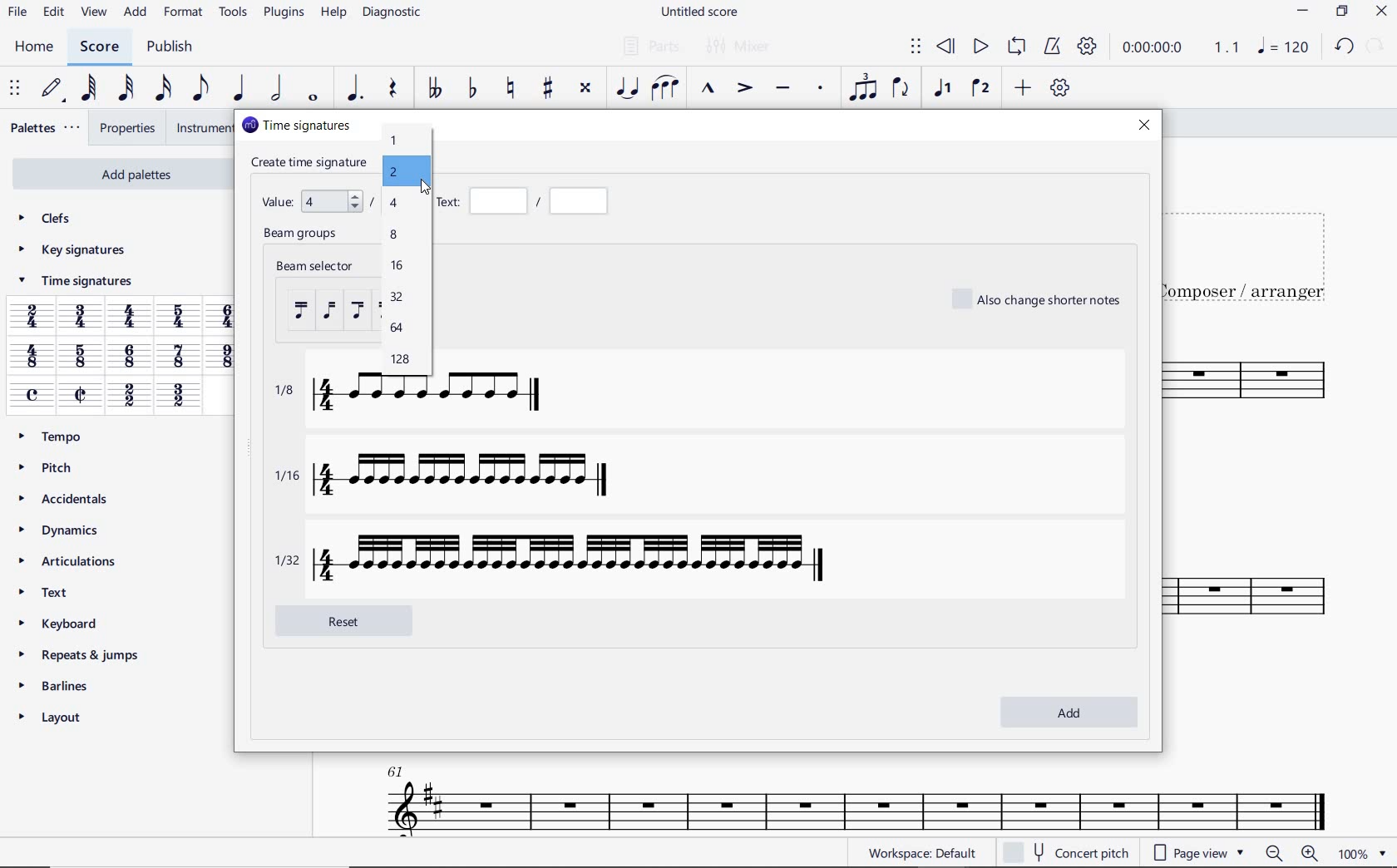 This screenshot has width=1397, height=868. Describe the element at coordinates (469, 477) in the screenshot. I see `1/16` at that location.